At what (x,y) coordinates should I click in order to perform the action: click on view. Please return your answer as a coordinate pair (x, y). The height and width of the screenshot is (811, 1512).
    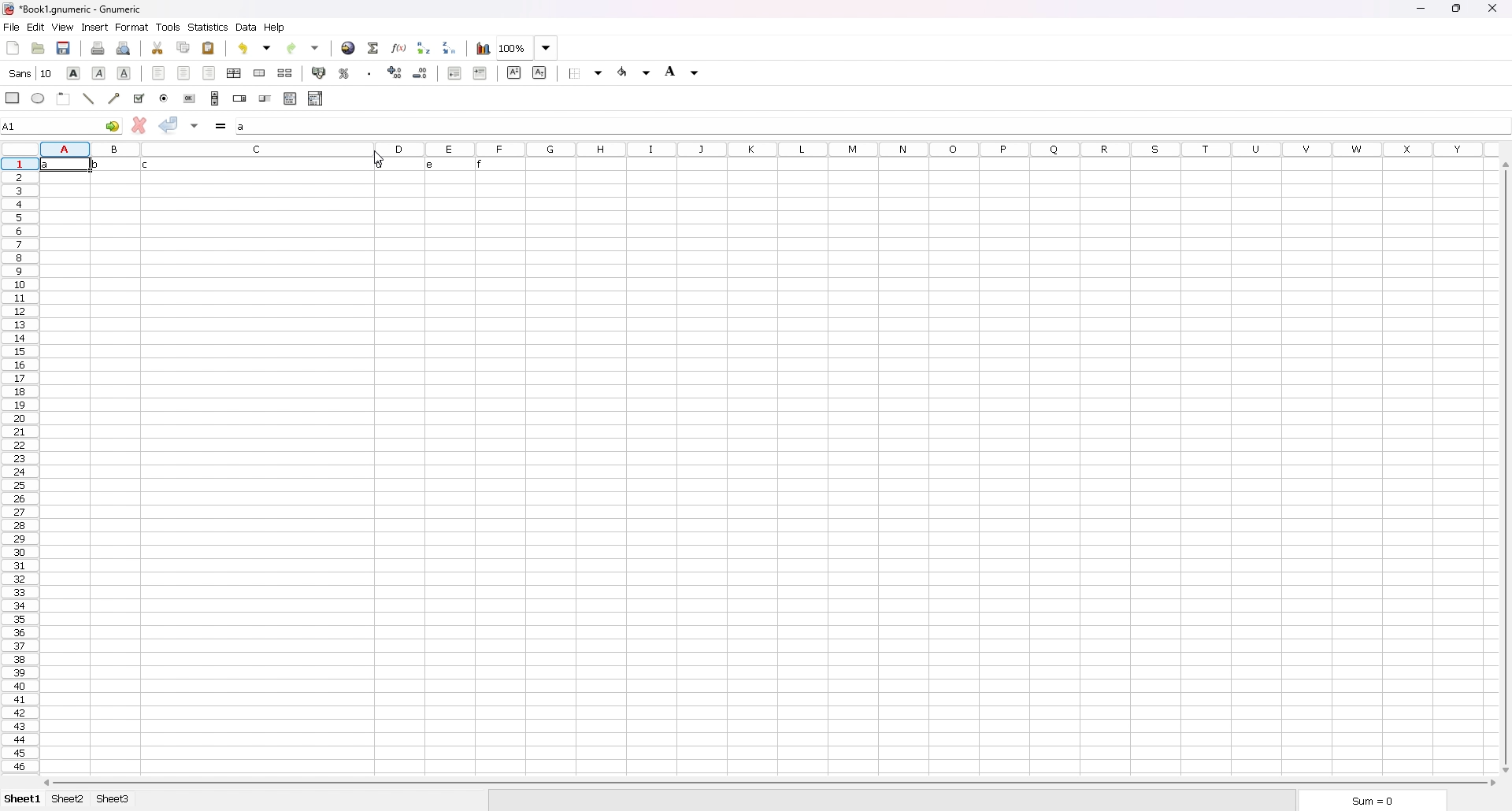
    Looking at the image, I should click on (63, 27).